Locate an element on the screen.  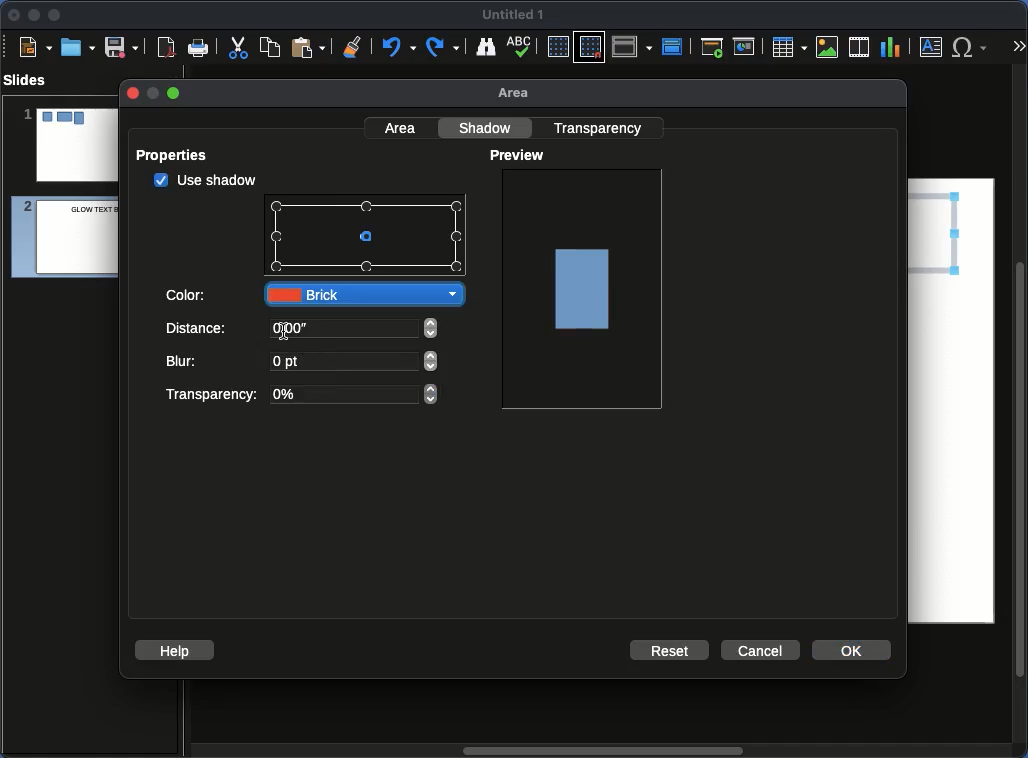
Image is located at coordinates (584, 287).